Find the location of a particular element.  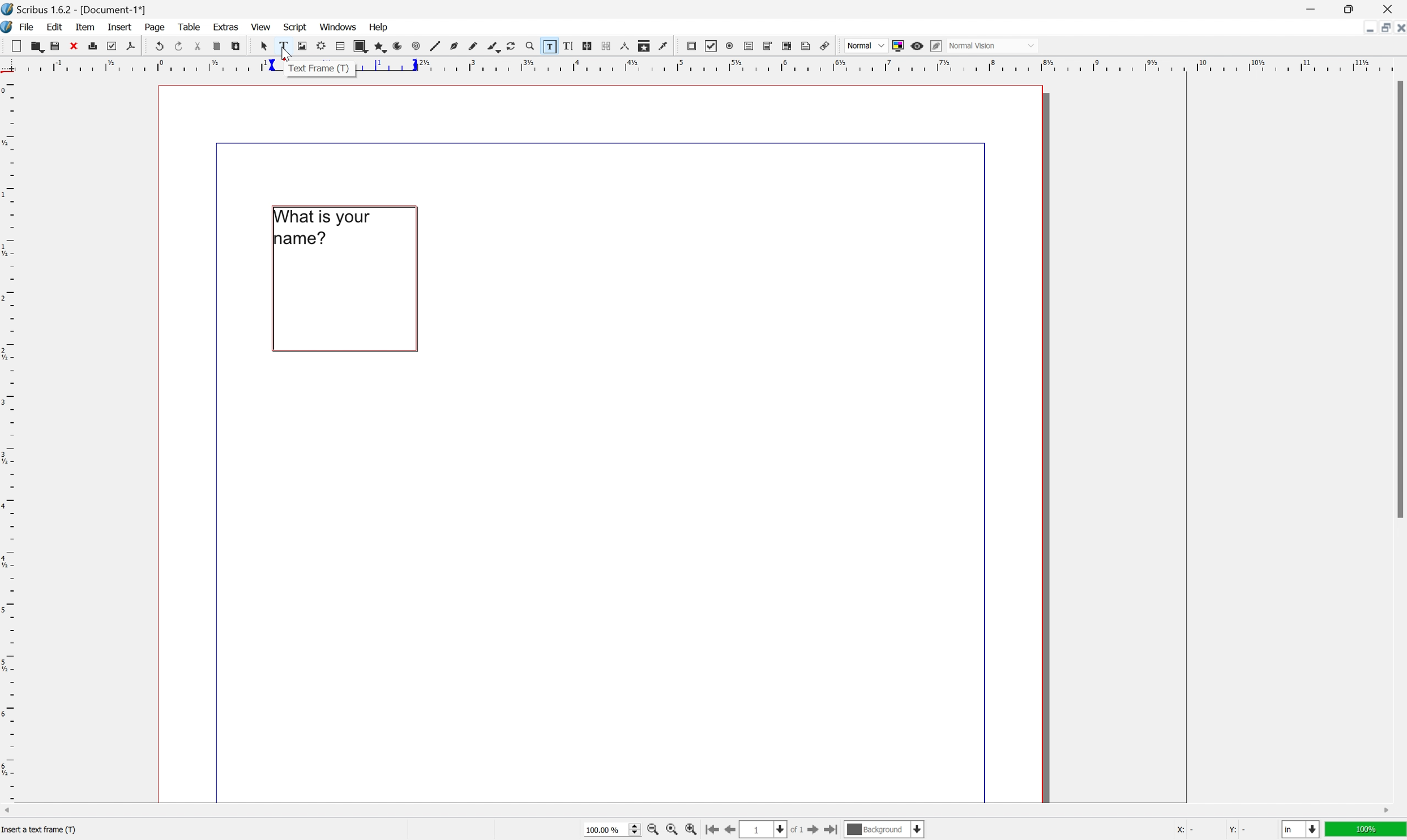

spiral is located at coordinates (416, 47).